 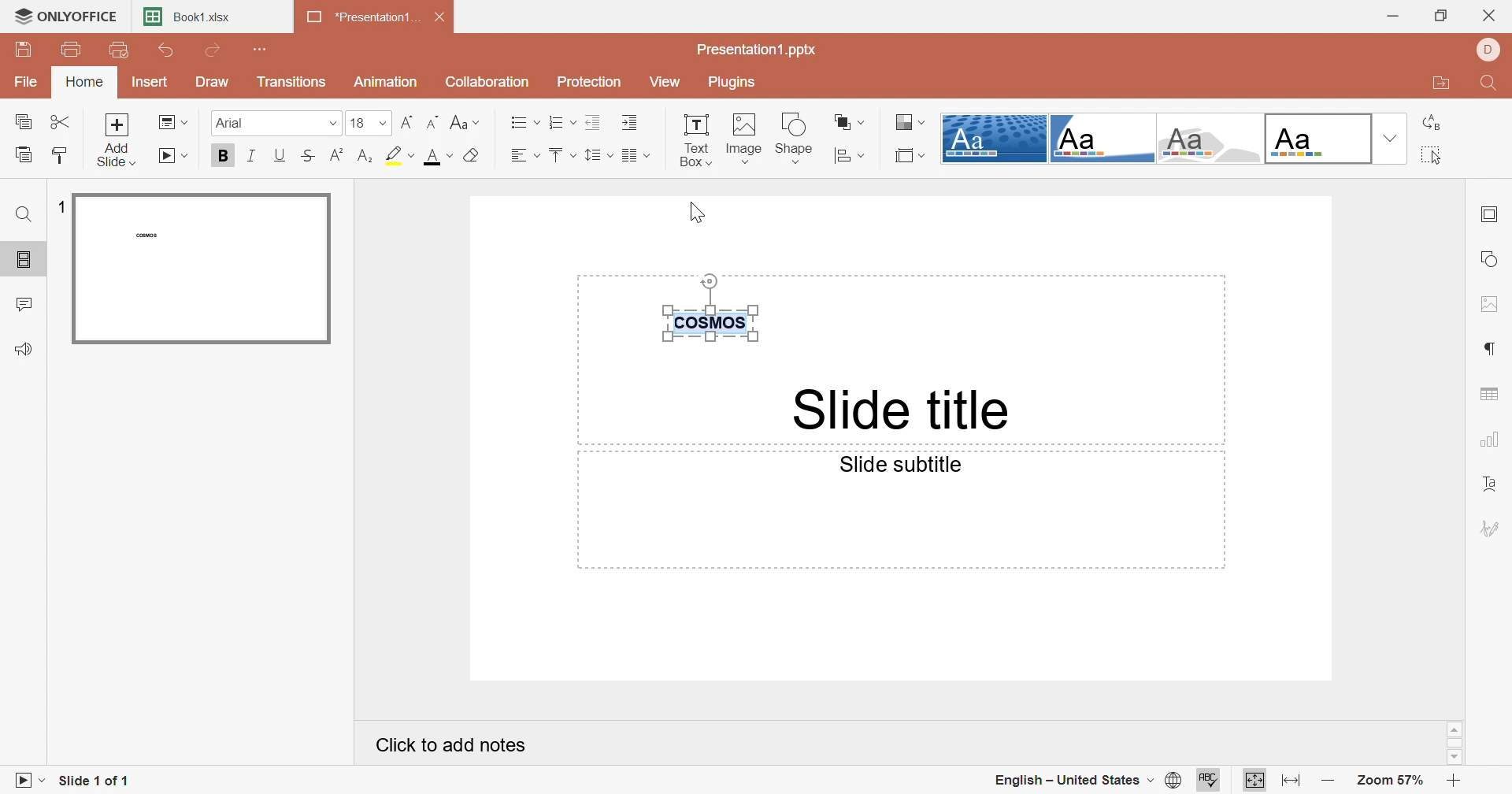 What do you see at coordinates (1317, 139) in the screenshot?
I see `Office theme` at bounding box center [1317, 139].